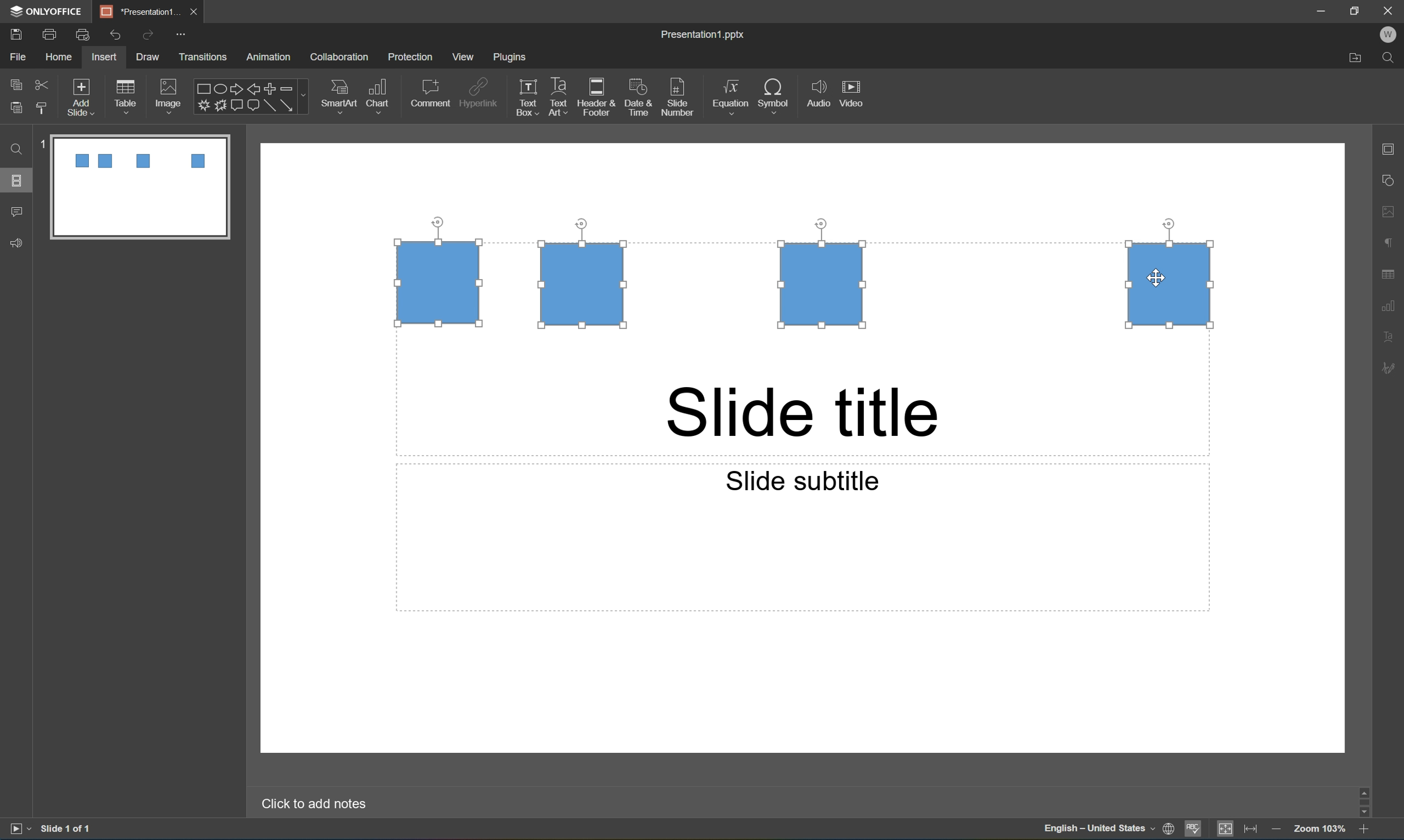  What do you see at coordinates (1392, 368) in the screenshot?
I see `signature settings` at bounding box center [1392, 368].